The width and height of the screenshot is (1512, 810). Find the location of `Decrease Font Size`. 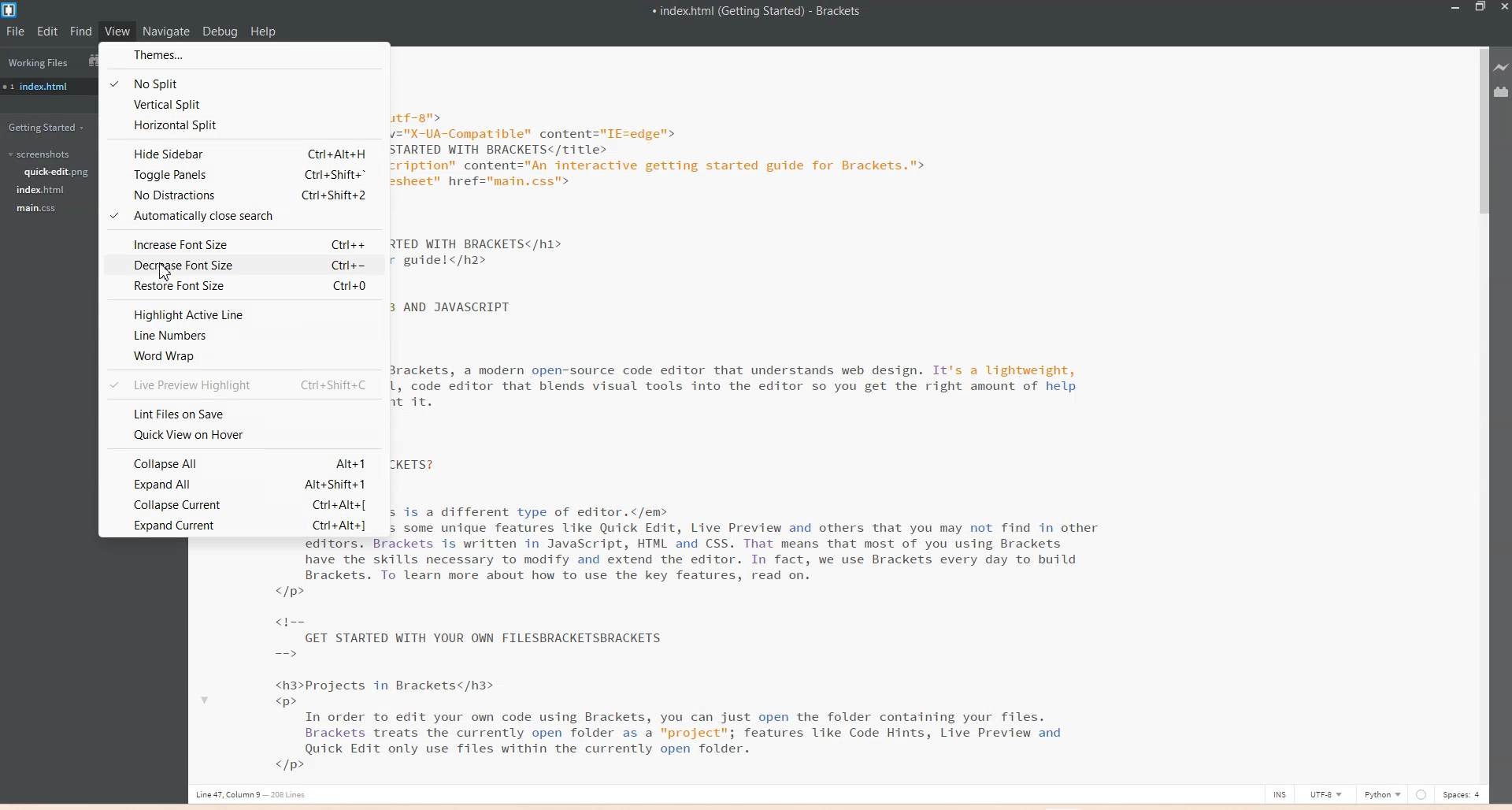

Decrease Font Size is located at coordinates (243, 265).